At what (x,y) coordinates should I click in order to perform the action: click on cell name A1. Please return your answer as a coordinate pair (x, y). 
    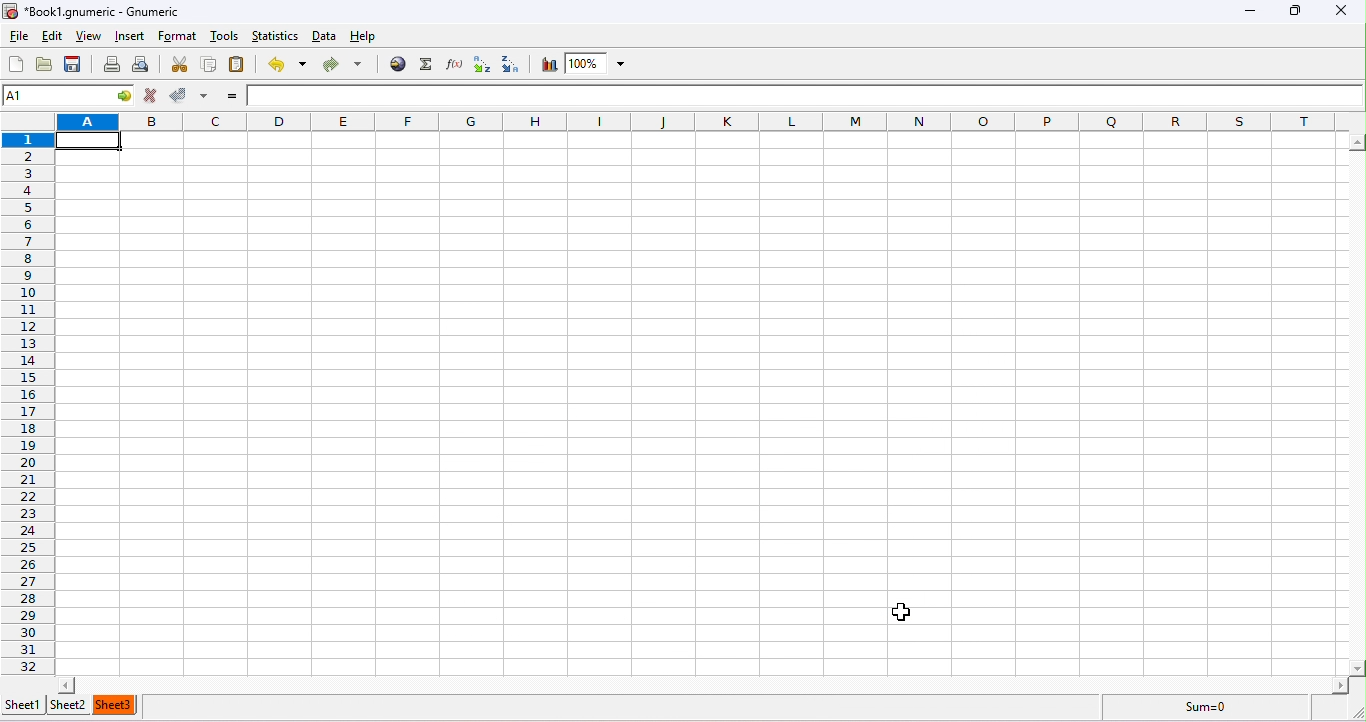
    Looking at the image, I should click on (55, 95).